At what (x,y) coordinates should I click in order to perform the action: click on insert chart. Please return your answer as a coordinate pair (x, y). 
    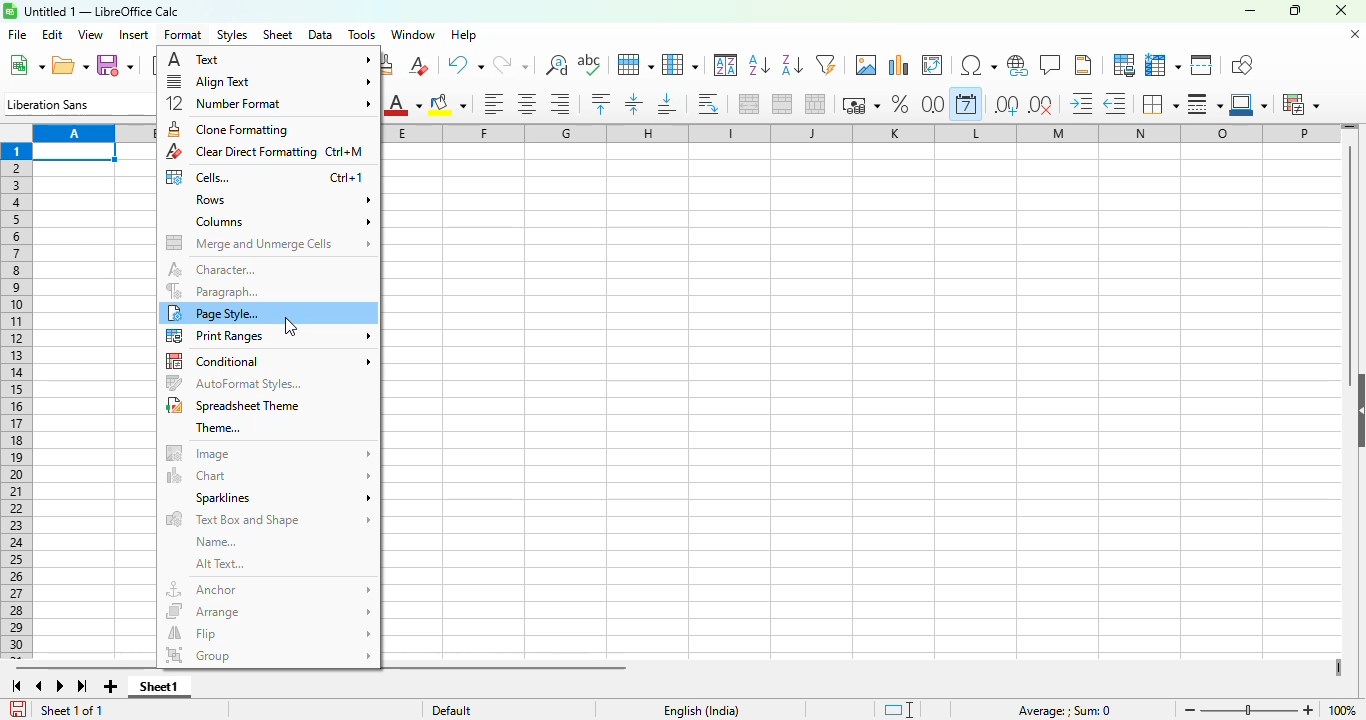
    Looking at the image, I should click on (898, 65).